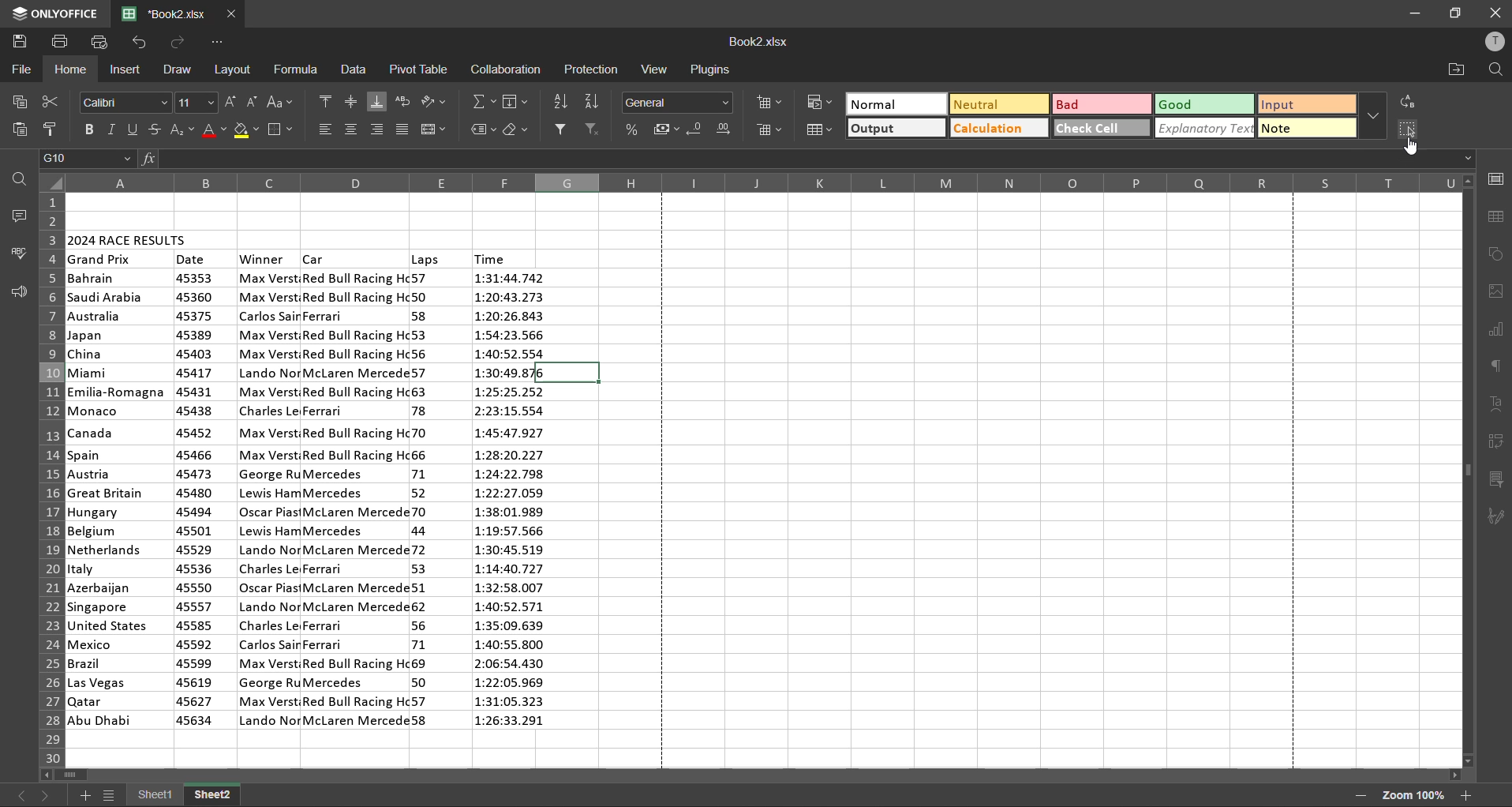 This screenshot has width=1512, height=807. I want to click on plugins, so click(710, 72).